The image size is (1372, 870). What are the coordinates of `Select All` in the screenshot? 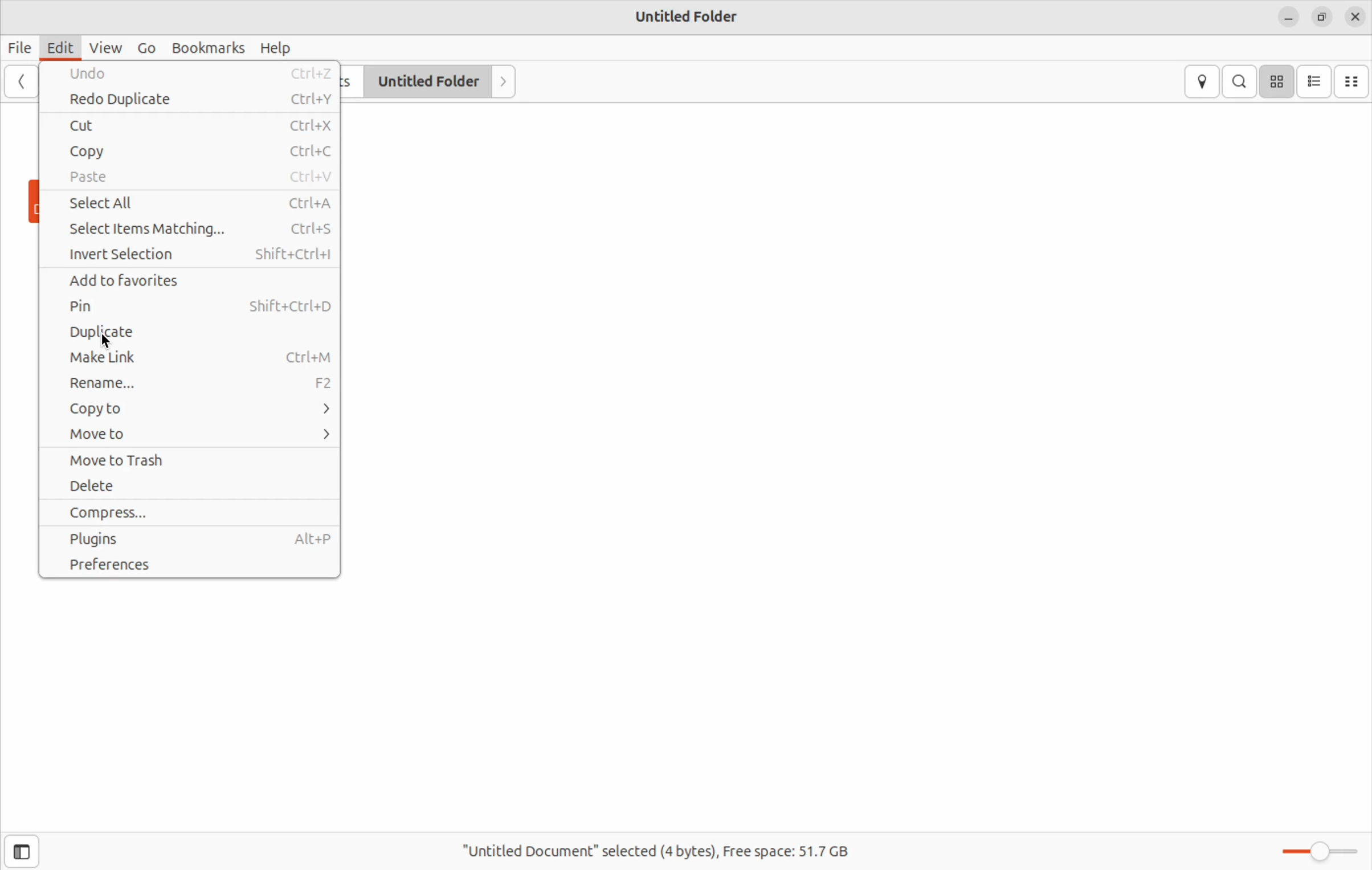 It's located at (191, 204).